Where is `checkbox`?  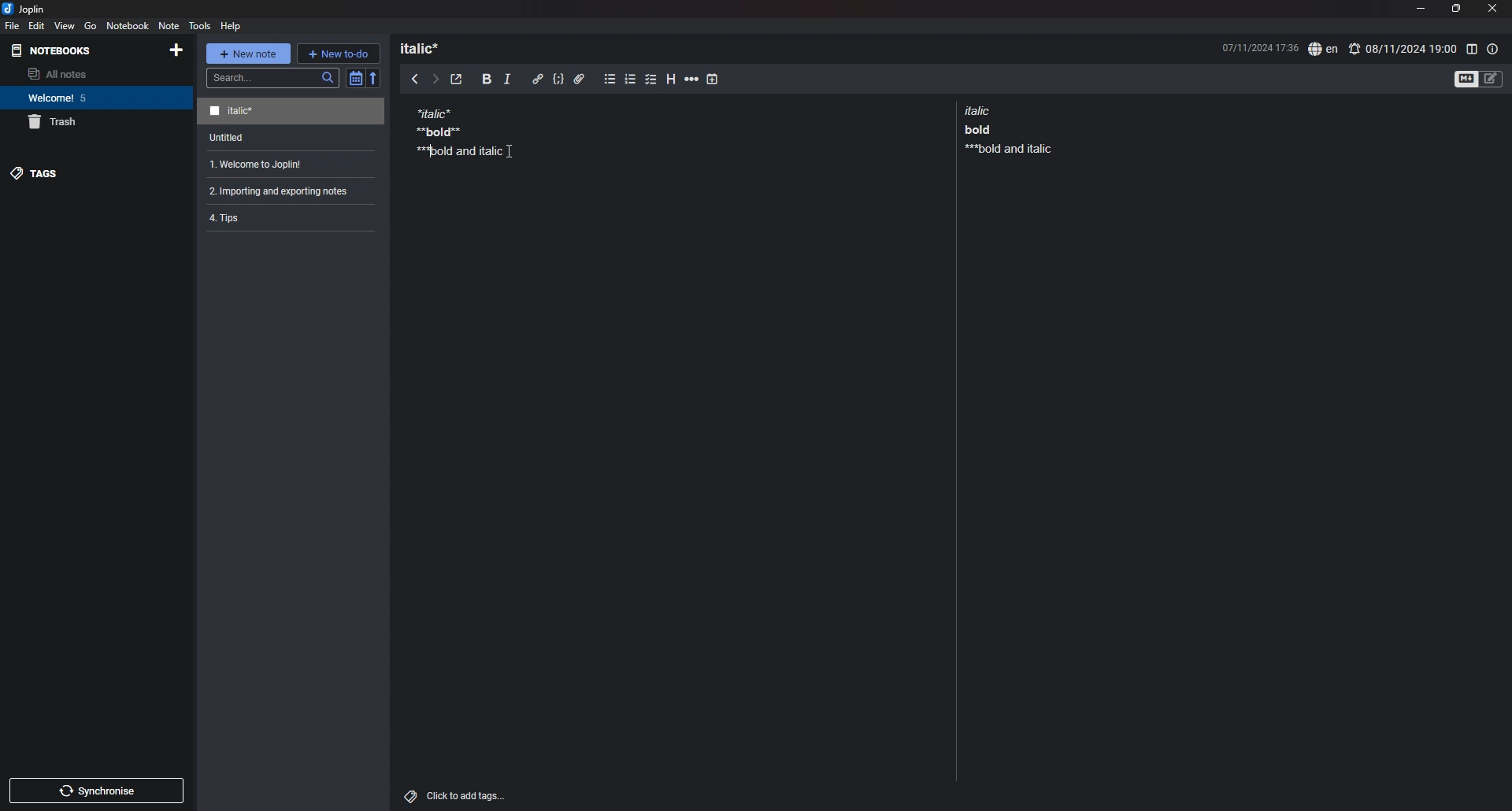 checkbox is located at coordinates (651, 80).